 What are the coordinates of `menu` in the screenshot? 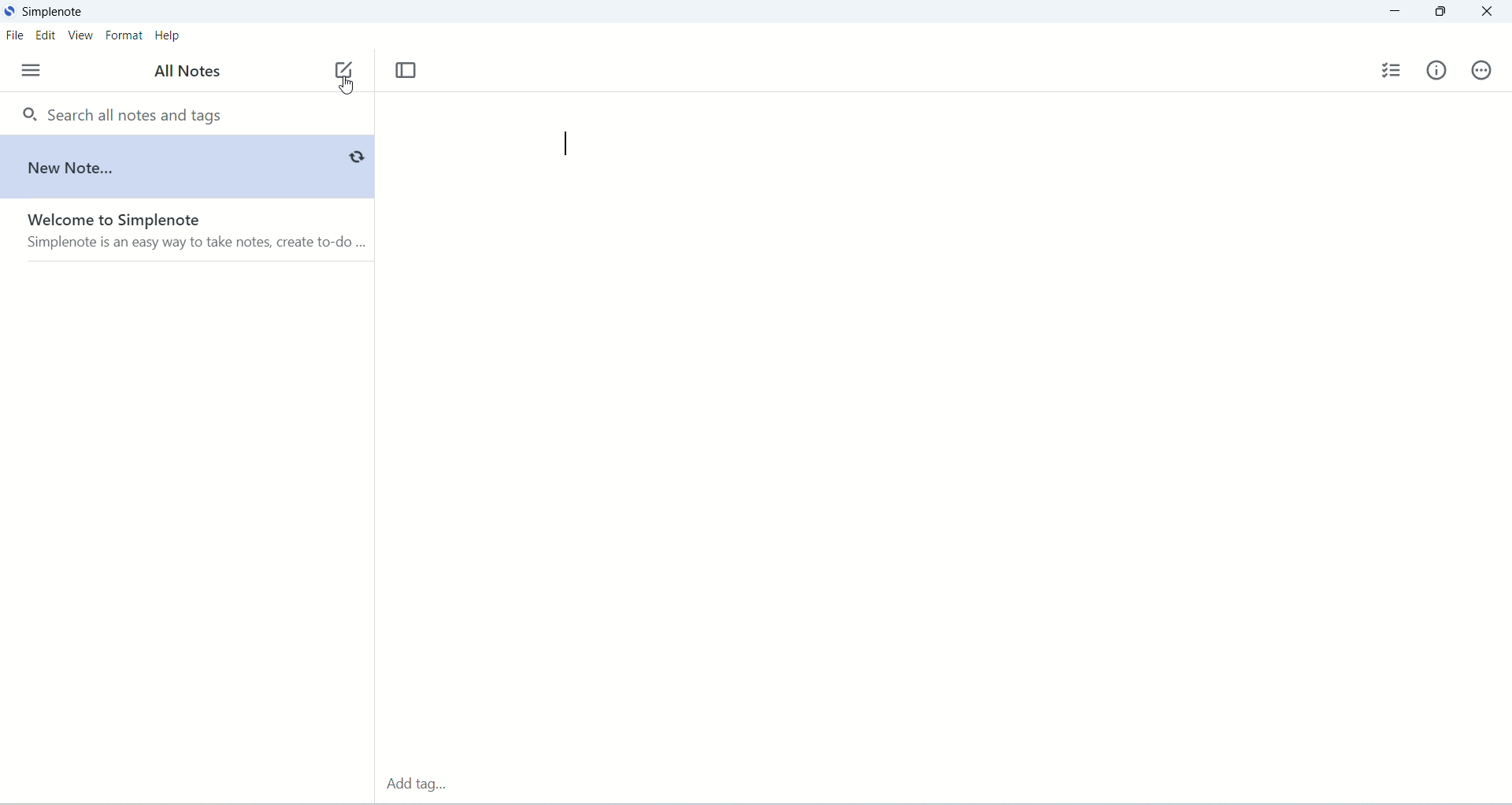 It's located at (31, 72).